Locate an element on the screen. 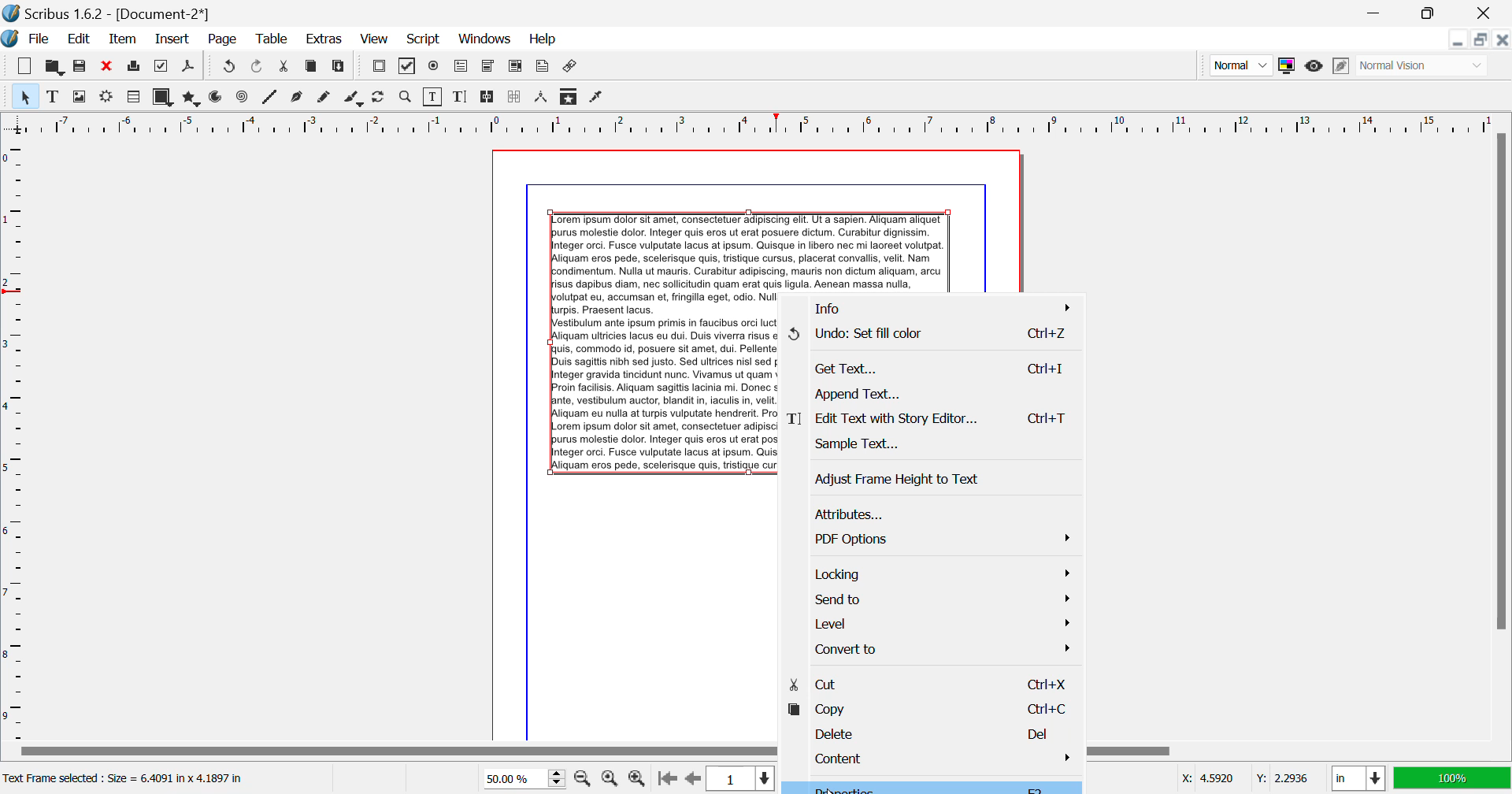 The width and height of the screenshot is (1512, 794). Edit is located at coordinates (76, 39).